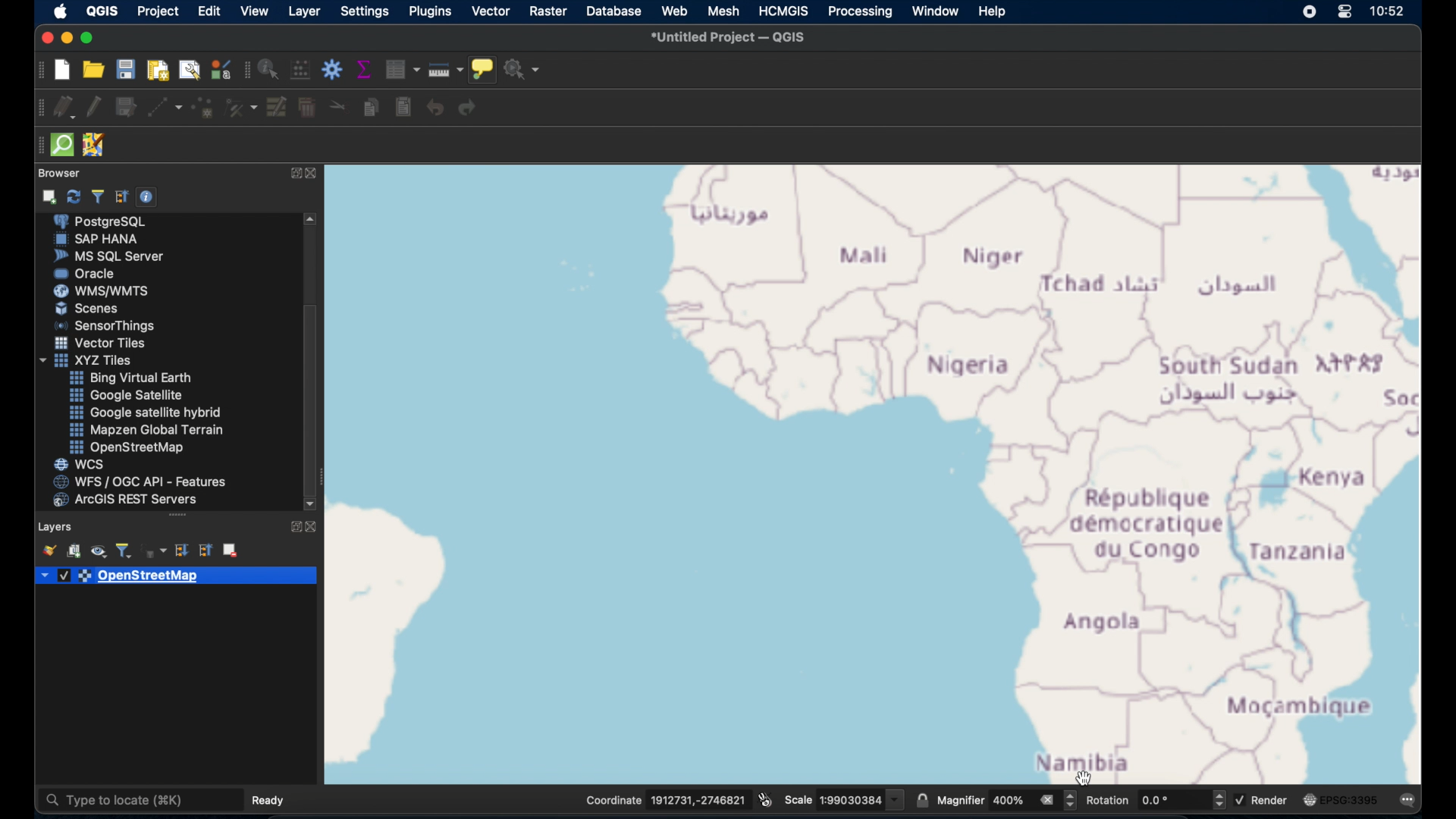  I want to click on maximize, so click(89, 37).